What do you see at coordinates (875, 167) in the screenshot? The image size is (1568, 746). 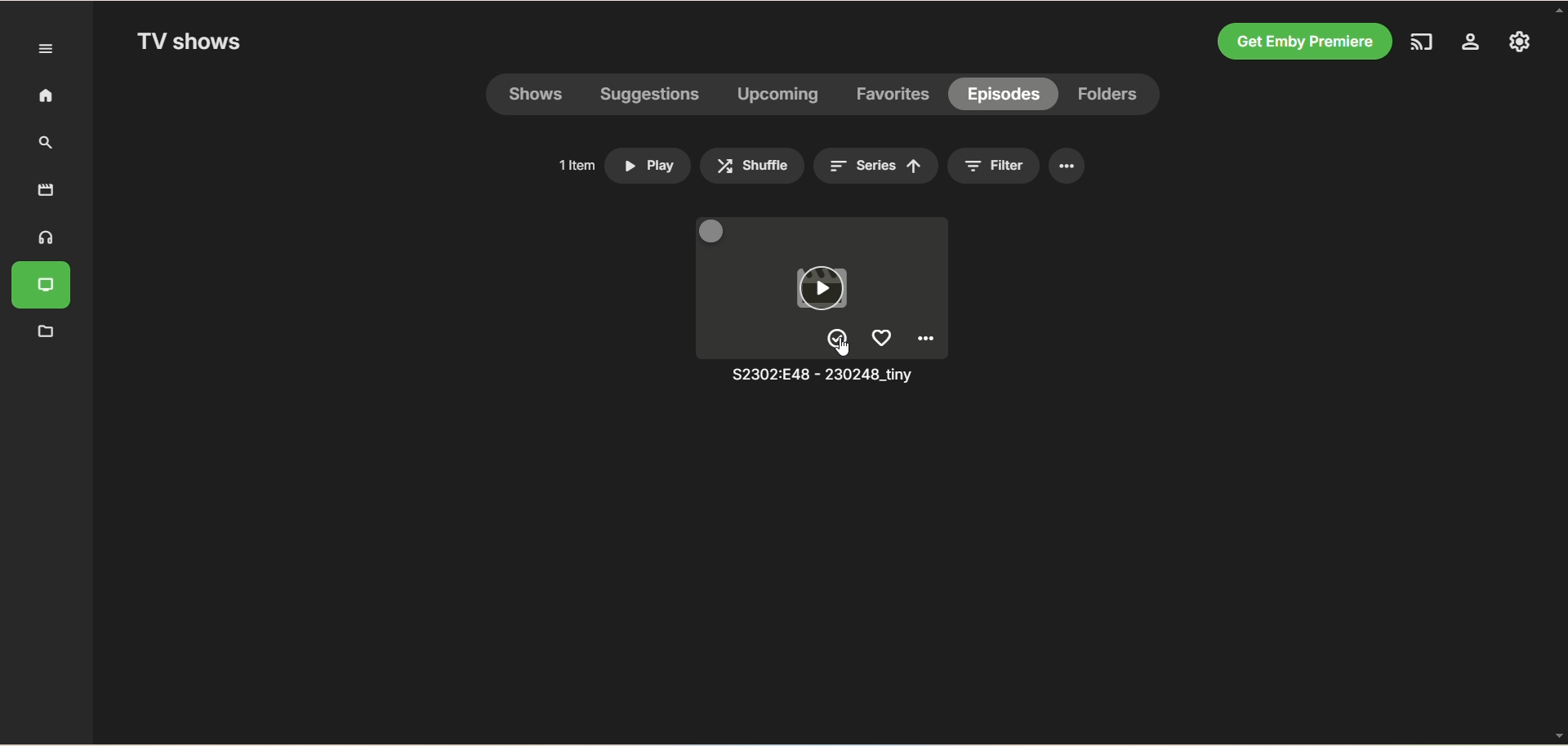 I see `Series` at bounding box center [875, 167].